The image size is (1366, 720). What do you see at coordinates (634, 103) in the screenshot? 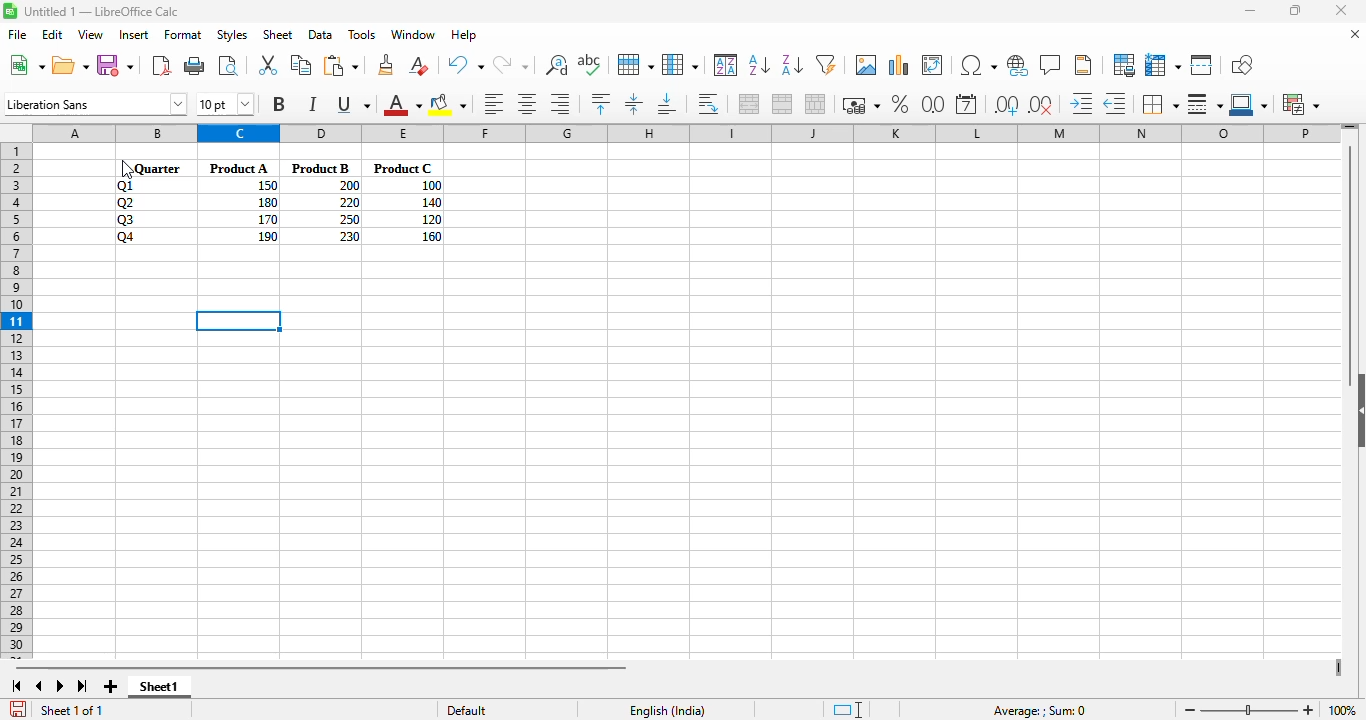
I see `center vertically` at bounding box center [634, 103].